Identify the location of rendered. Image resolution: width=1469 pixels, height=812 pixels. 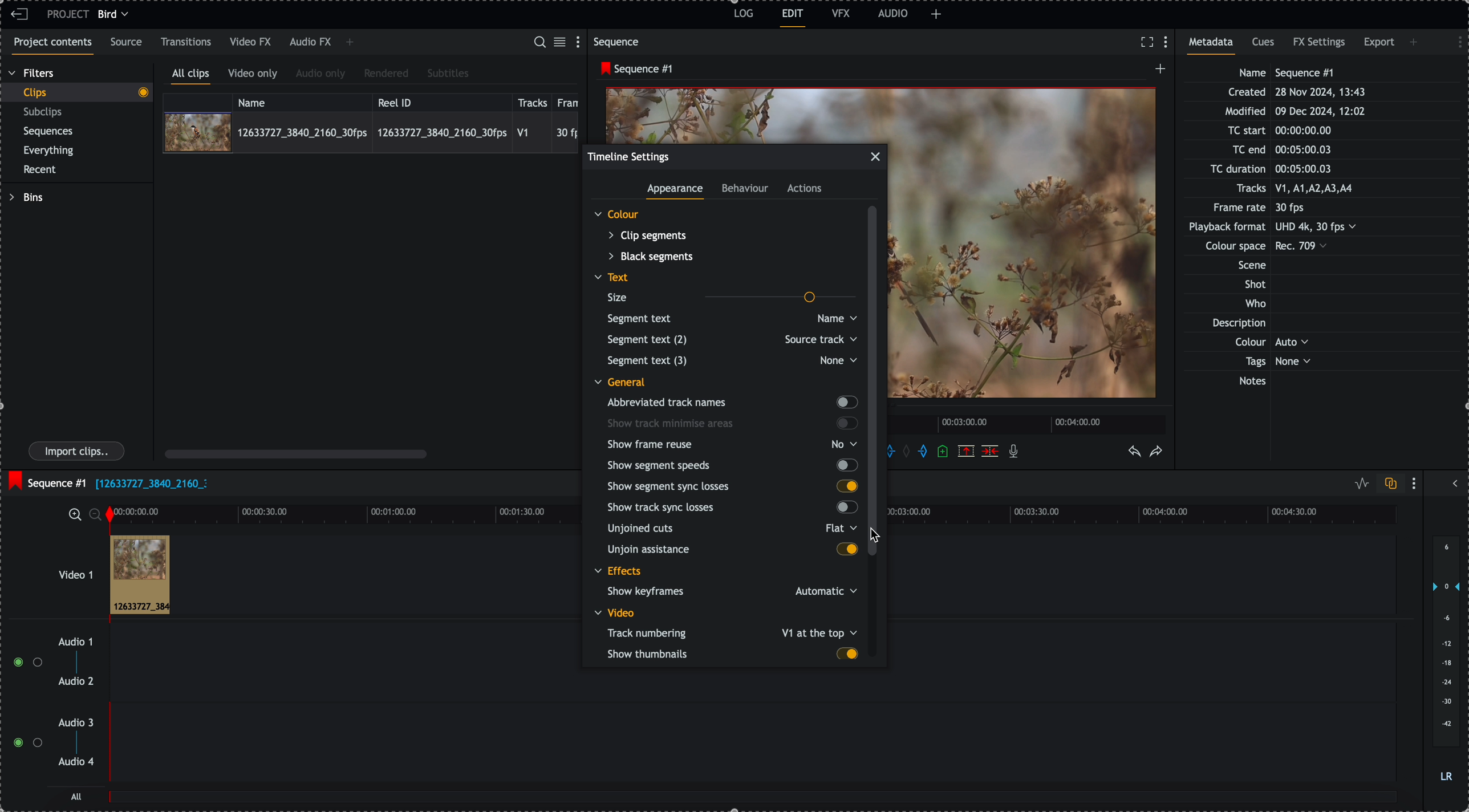
(386, 74).